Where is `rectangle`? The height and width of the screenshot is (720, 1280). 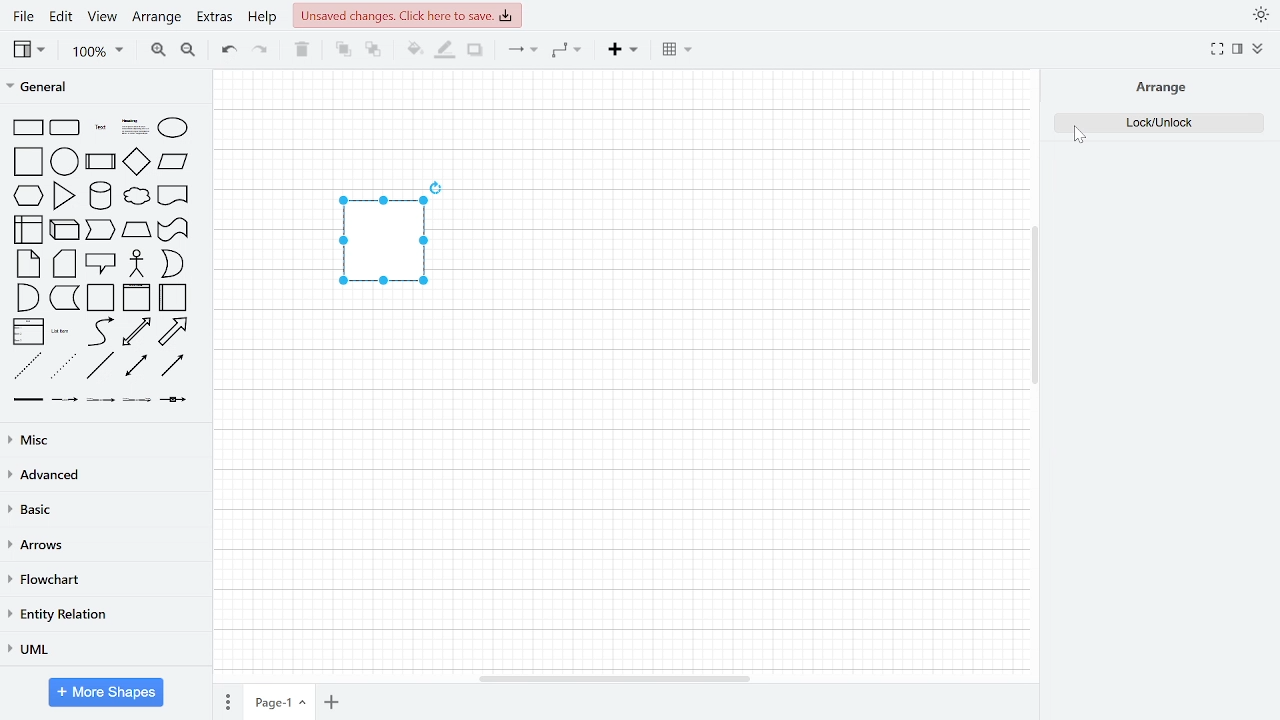 rectangle is located at coordinates (28, 128).